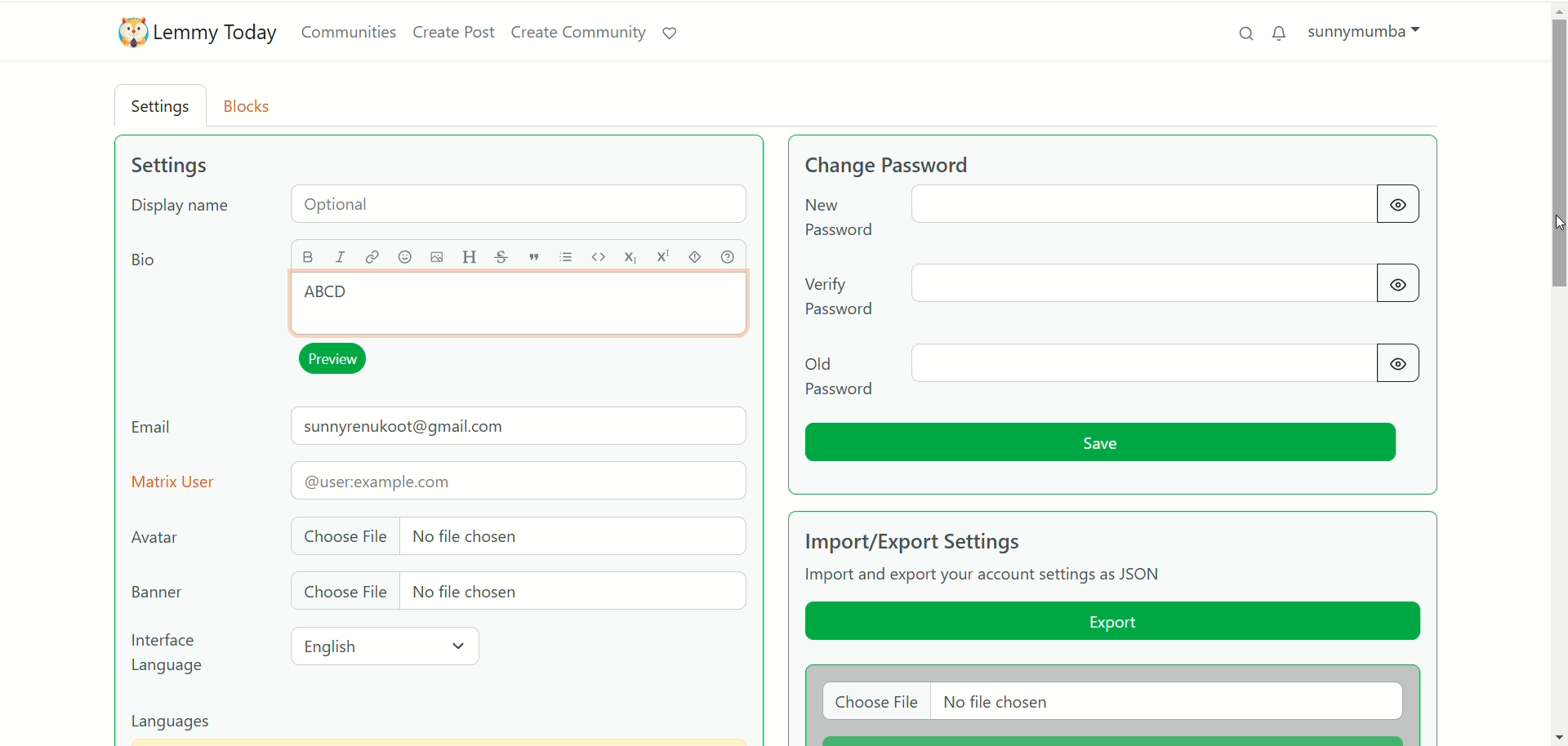  I want to click on choose file, so click(516, 535).